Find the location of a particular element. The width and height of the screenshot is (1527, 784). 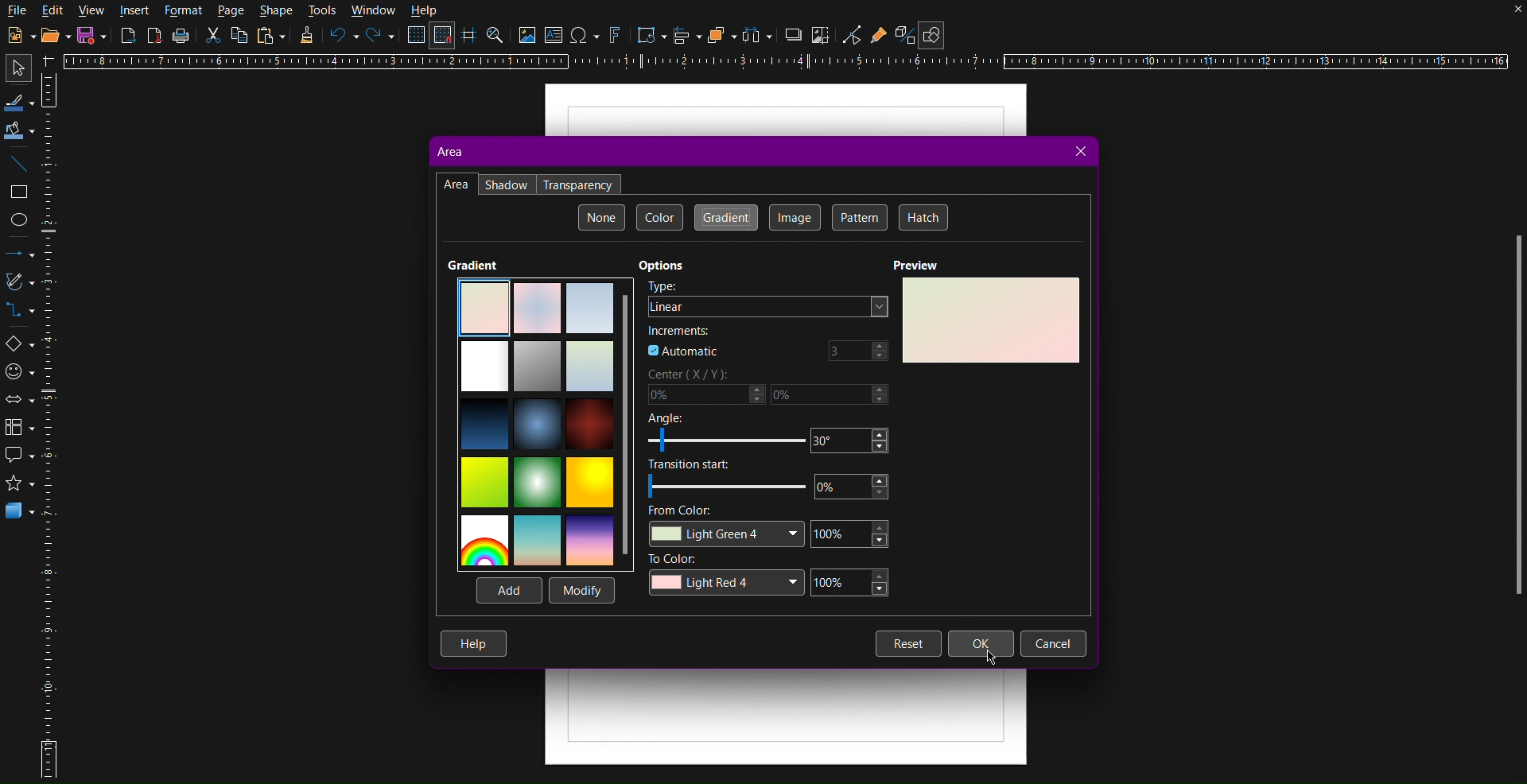

Distribute Objects is located at coordinates (757, 35).